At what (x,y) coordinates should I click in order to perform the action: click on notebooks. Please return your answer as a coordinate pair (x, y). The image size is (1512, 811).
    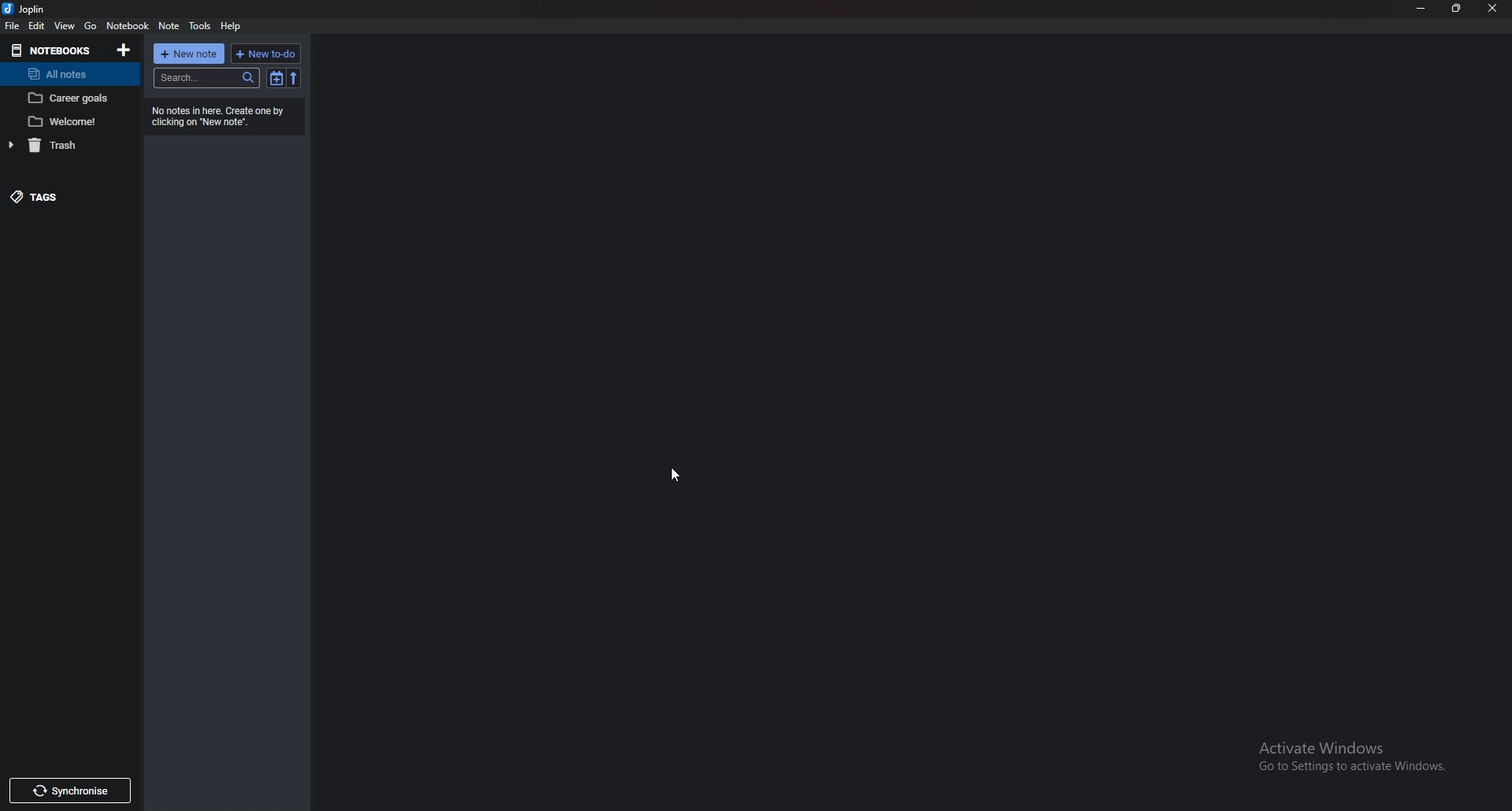
    Looking at the image, I should click on (53, 50).